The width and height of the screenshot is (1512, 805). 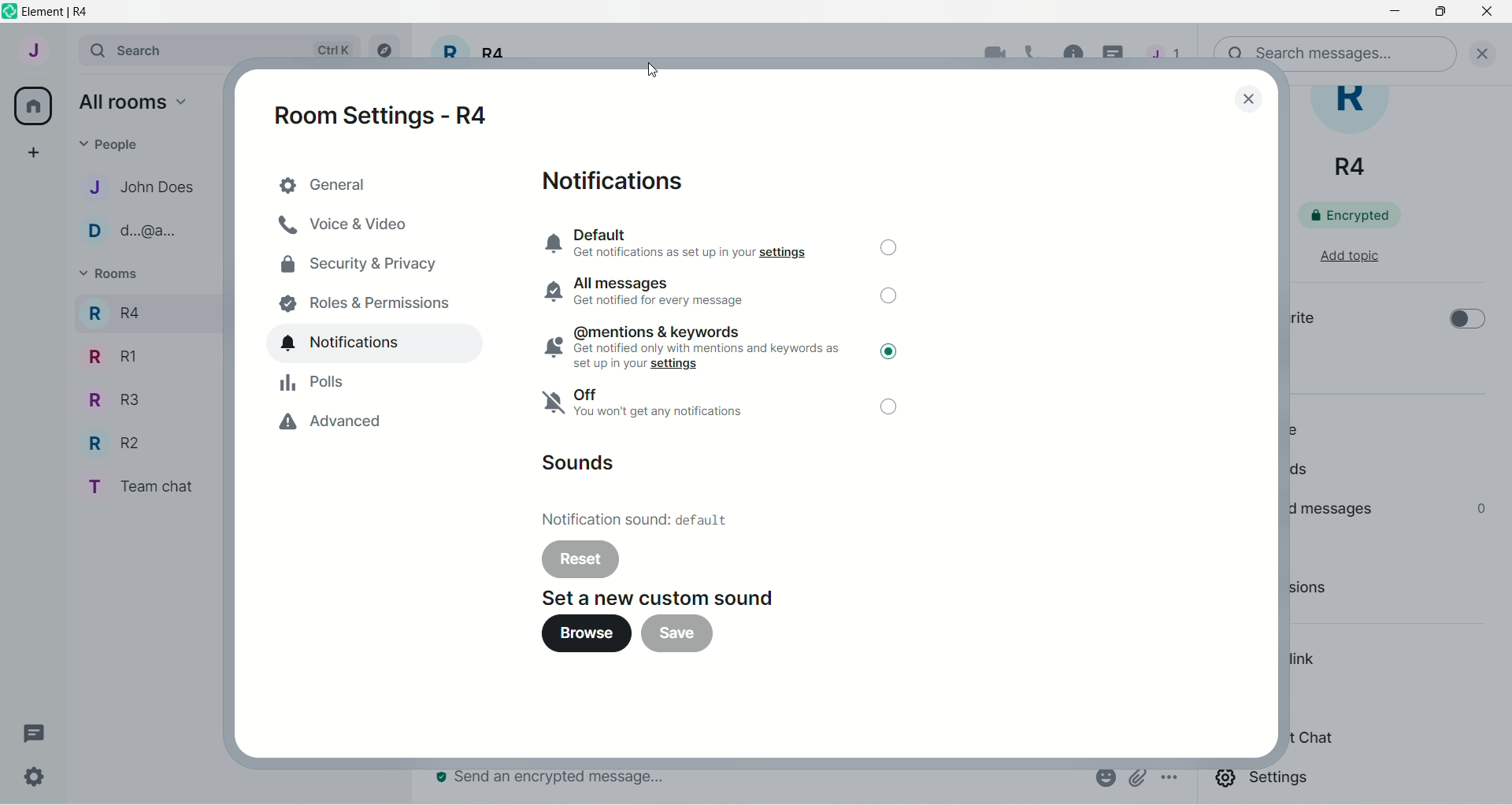 I want to click on set a new custom sound, so click(x=669, y=596).